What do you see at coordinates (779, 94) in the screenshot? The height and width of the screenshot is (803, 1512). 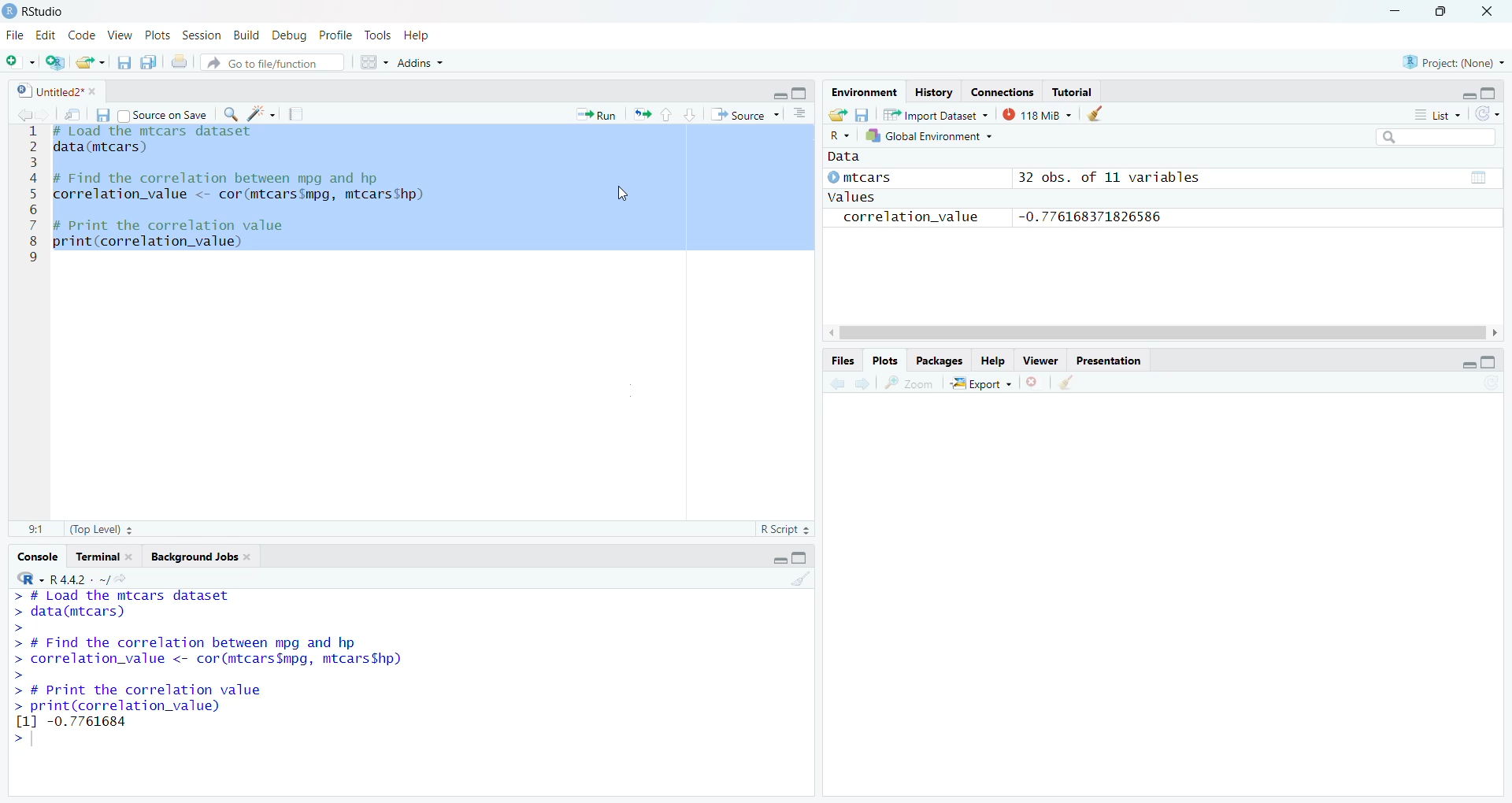 I see `Minimize` at bounding box center [779, 94].